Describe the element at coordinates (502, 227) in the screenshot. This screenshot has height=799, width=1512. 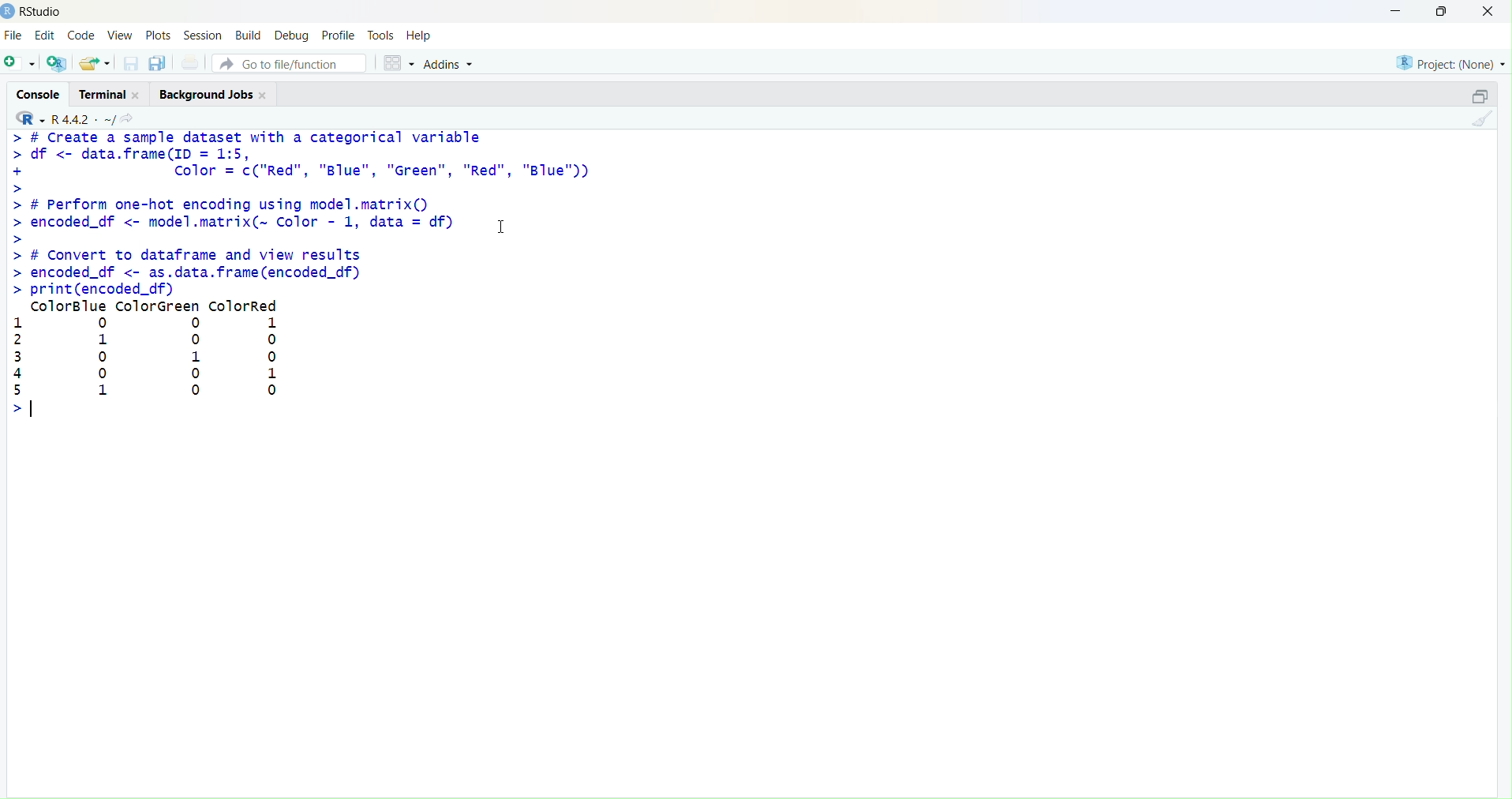
I see `cursor` at that location.